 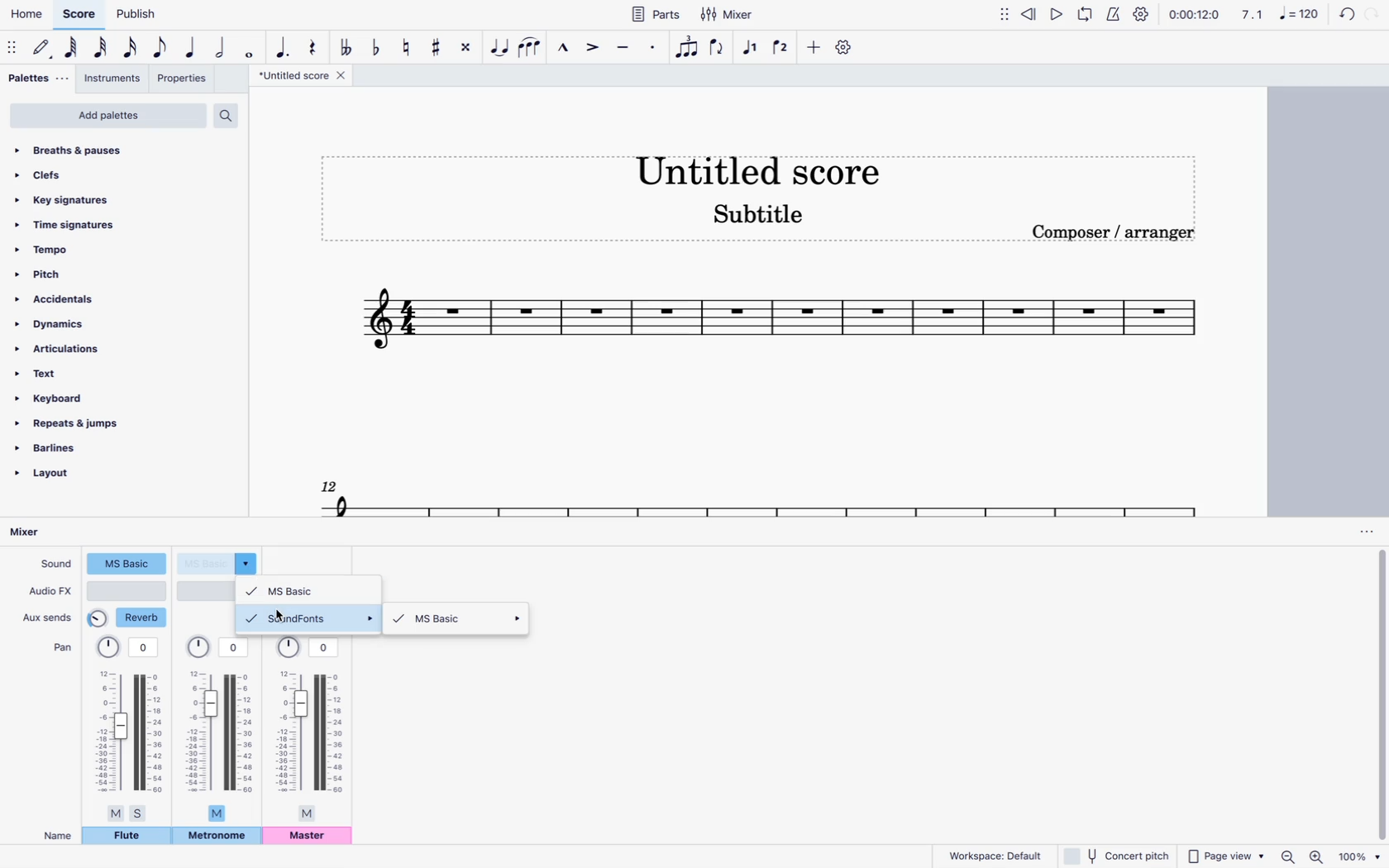 What do you see at coordinates (376, 45) in the screenshot?
I see `toggle flat` at bounding box center [376, 45].